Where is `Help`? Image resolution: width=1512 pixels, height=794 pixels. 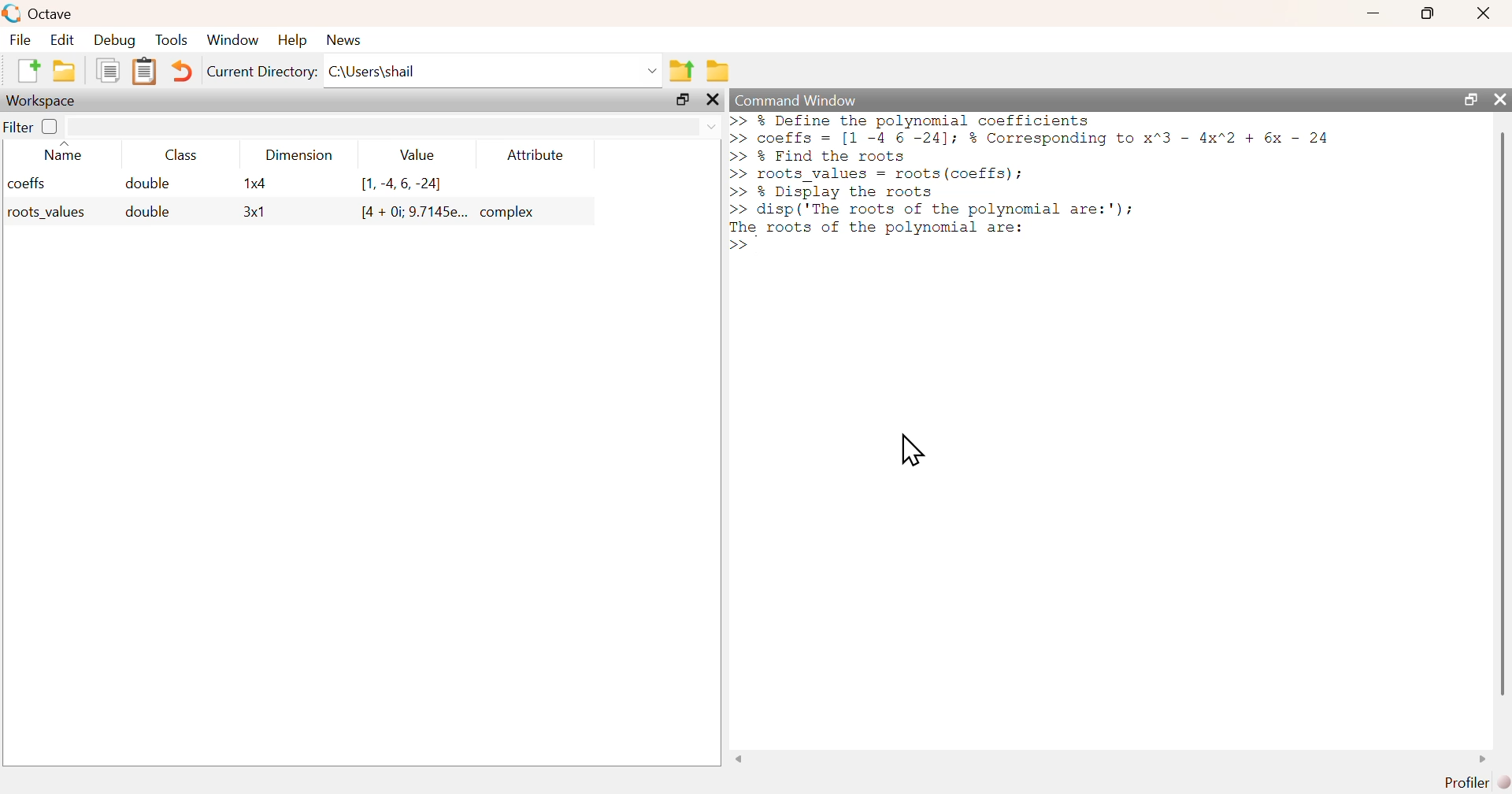 Help is located at coordinates (291, 41).